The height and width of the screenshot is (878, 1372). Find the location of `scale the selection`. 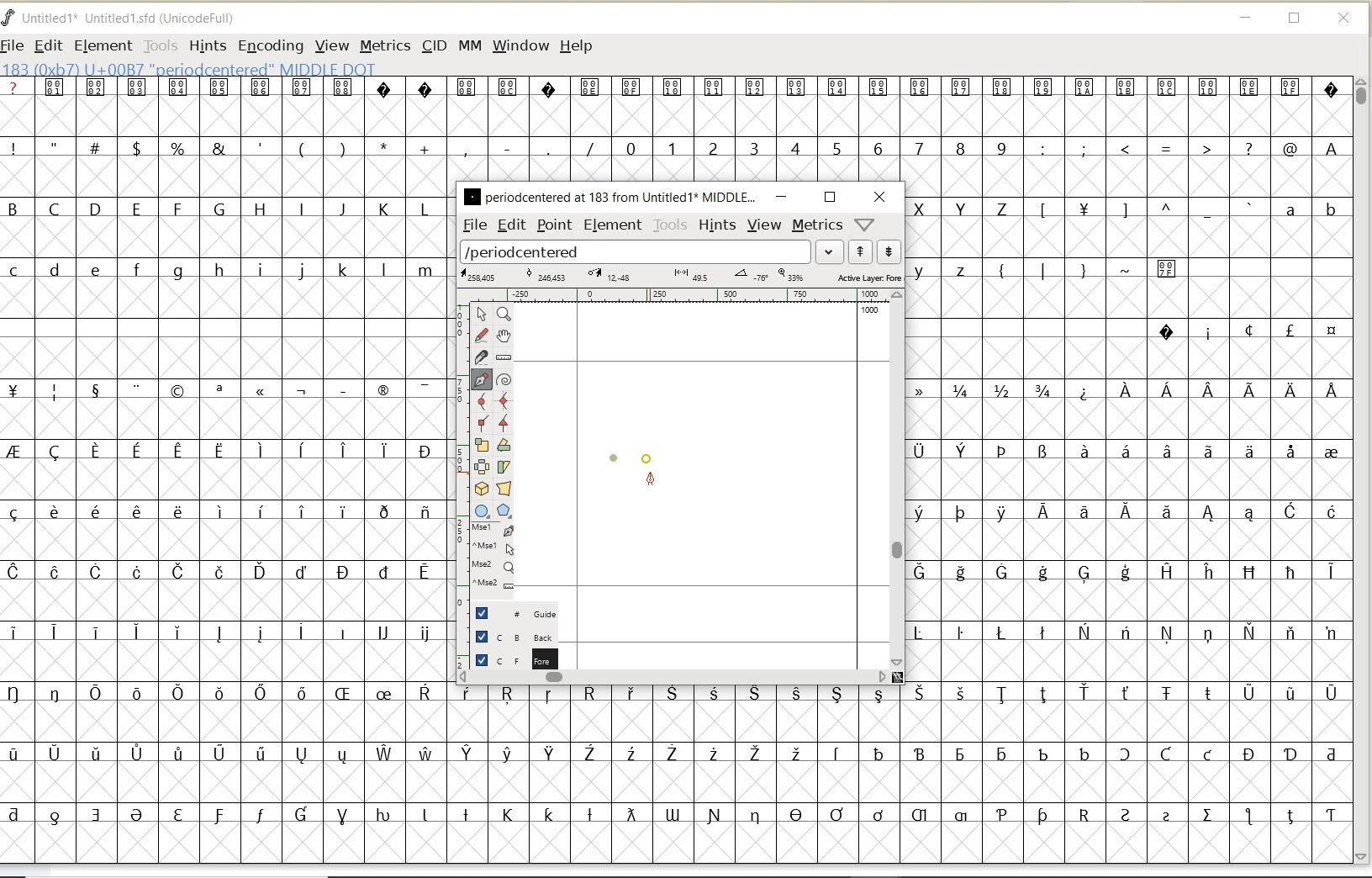

scale the selection is located at coordinates (480, 446).